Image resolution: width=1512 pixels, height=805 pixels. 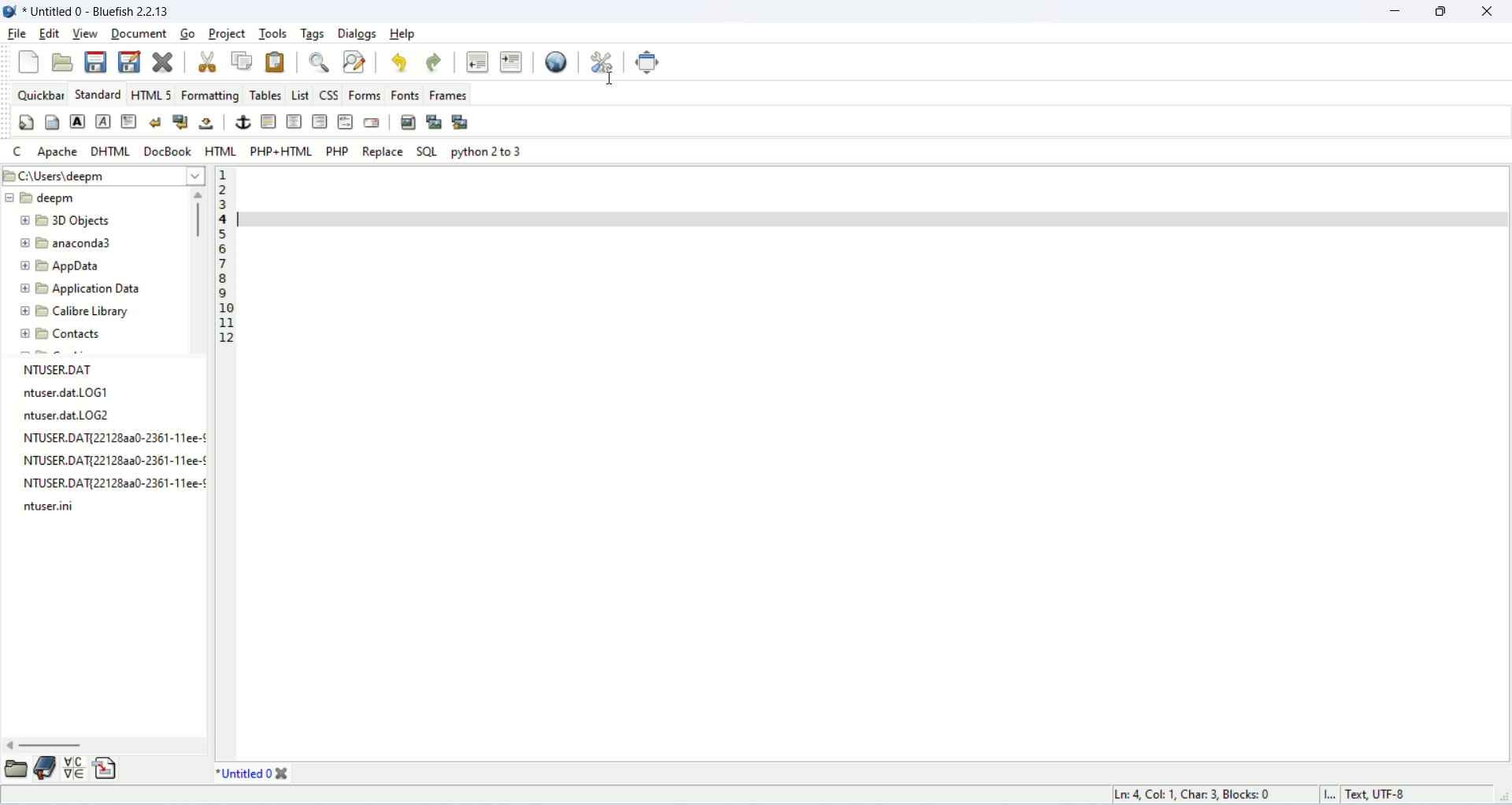 I want to click on Ln, col, char, block, so click(x=1196, y=796).